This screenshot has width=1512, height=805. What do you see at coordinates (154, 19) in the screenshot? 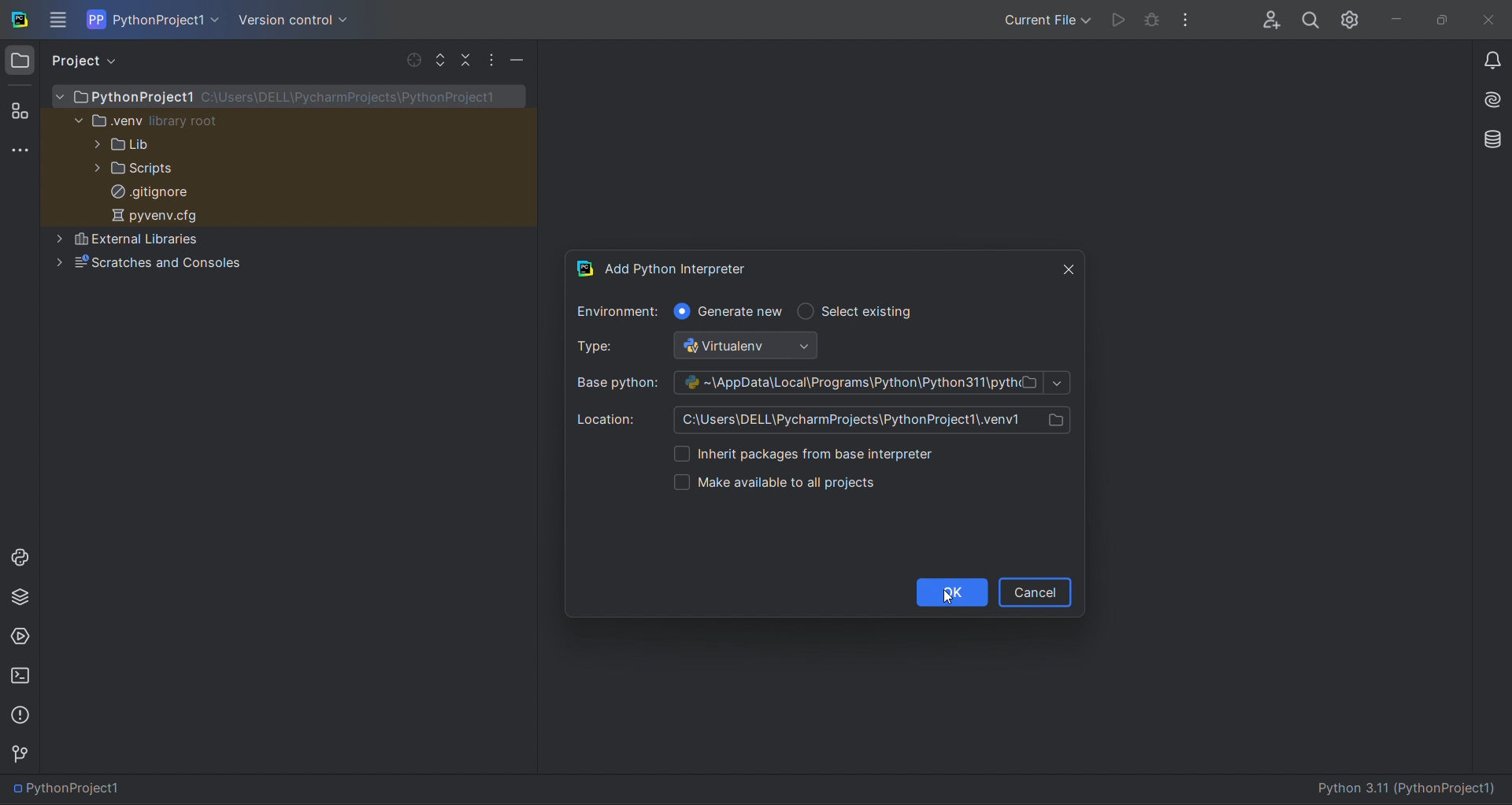
I see `current project` at bounding box center [154, 19].